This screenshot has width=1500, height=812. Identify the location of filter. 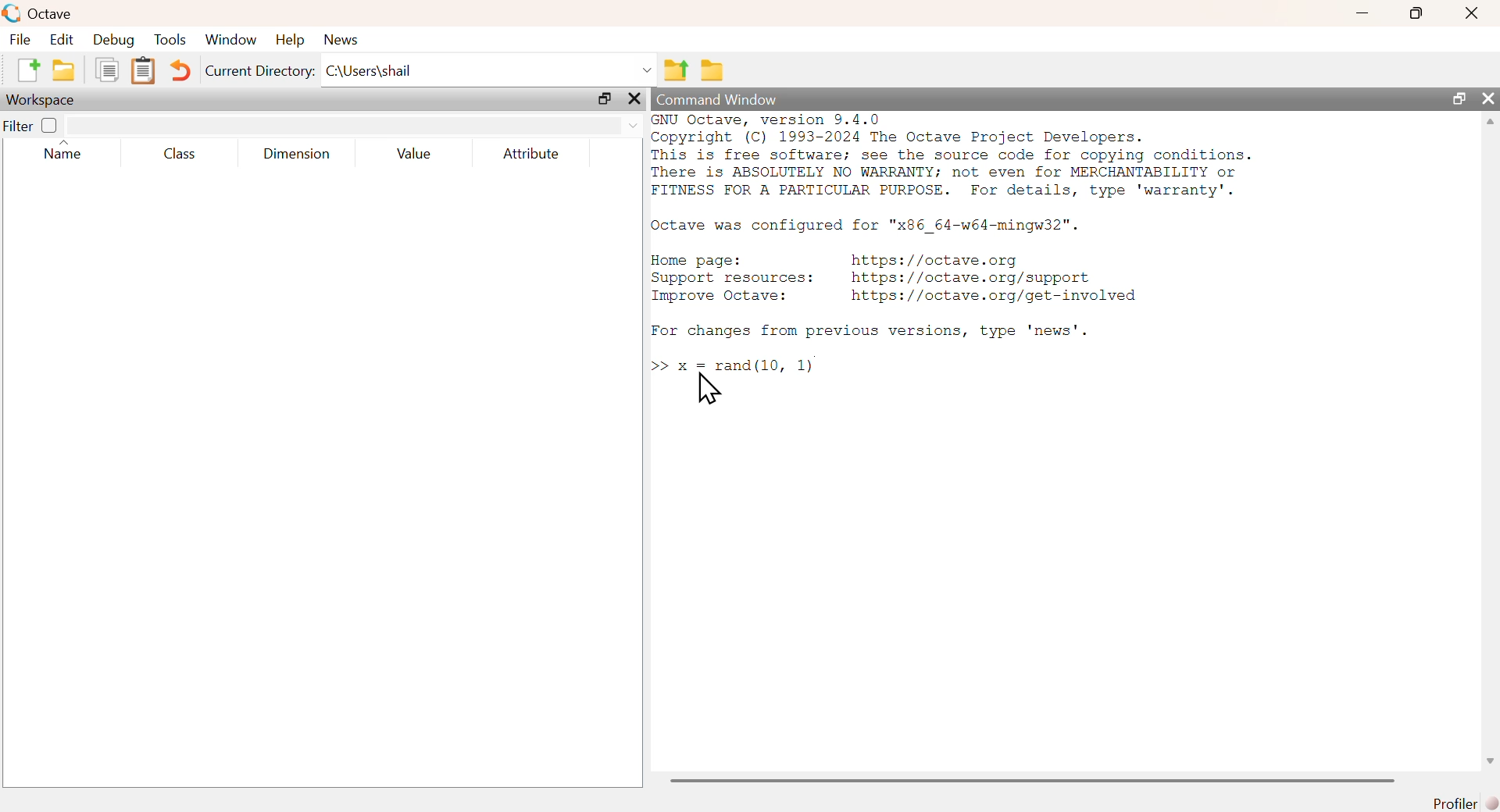
(354, 126).